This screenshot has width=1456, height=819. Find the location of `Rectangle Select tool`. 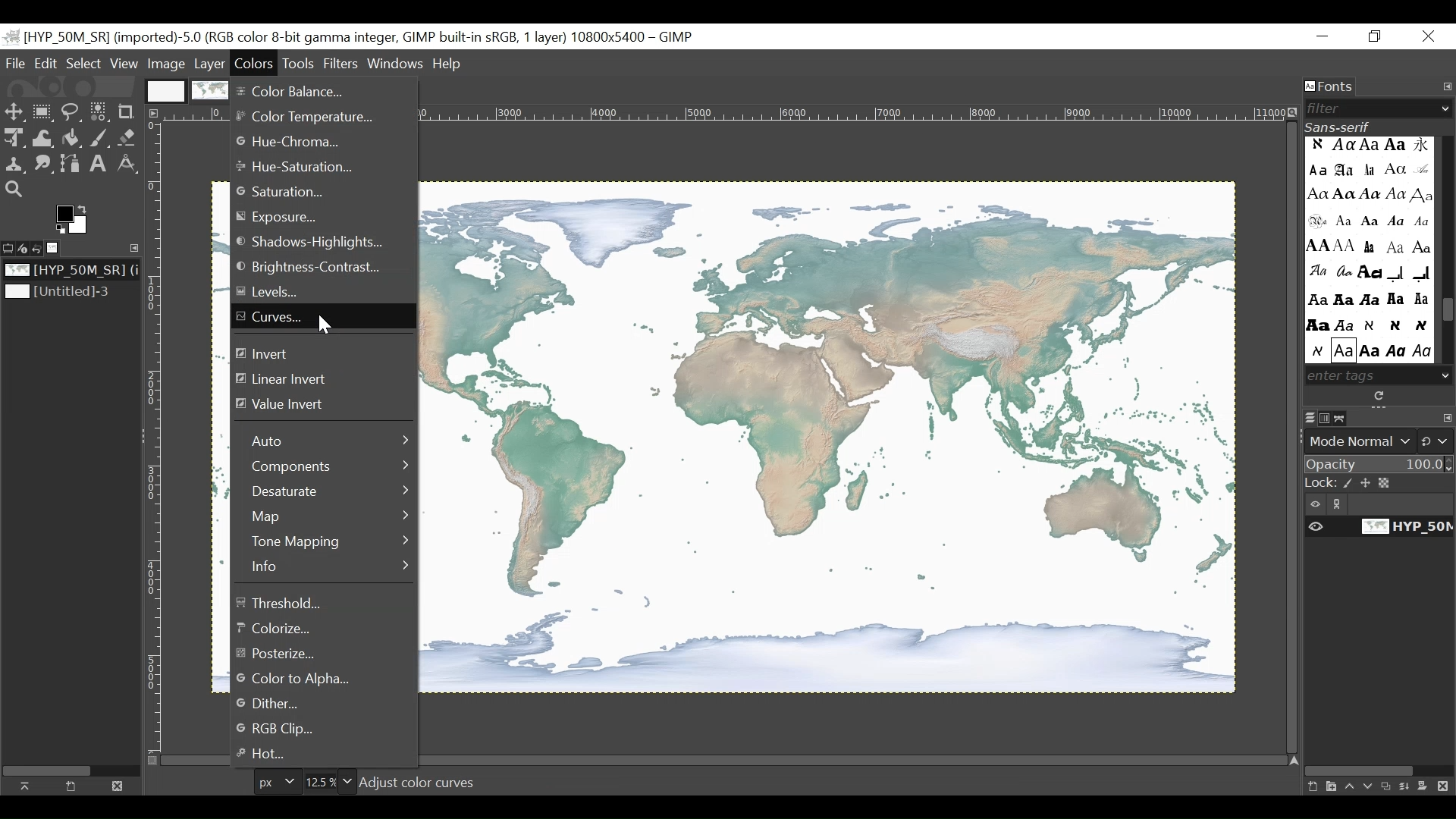

Rectangle Select tool is located at coordinates (43, 113).